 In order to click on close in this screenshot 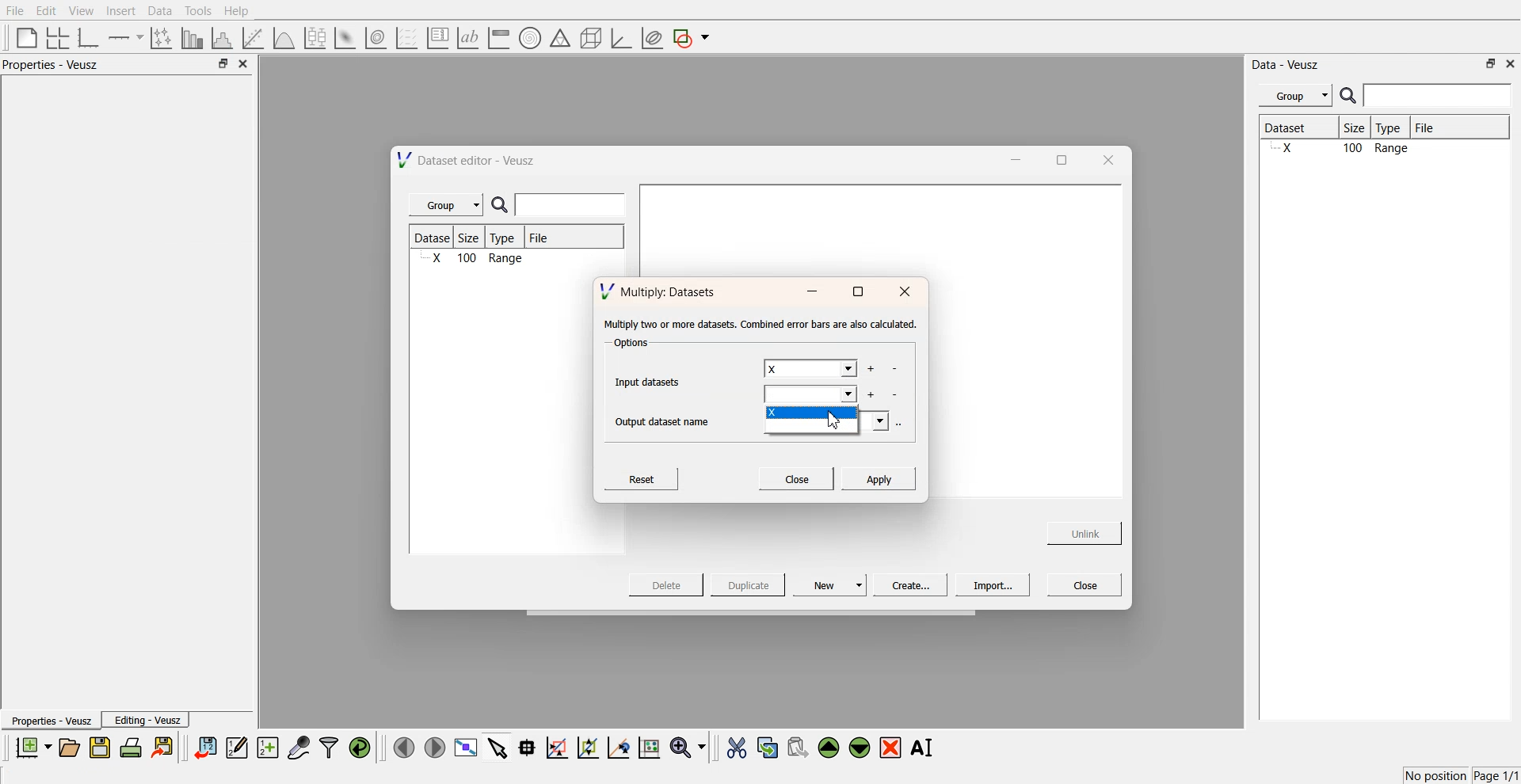, I will do `click(244, 64)`.